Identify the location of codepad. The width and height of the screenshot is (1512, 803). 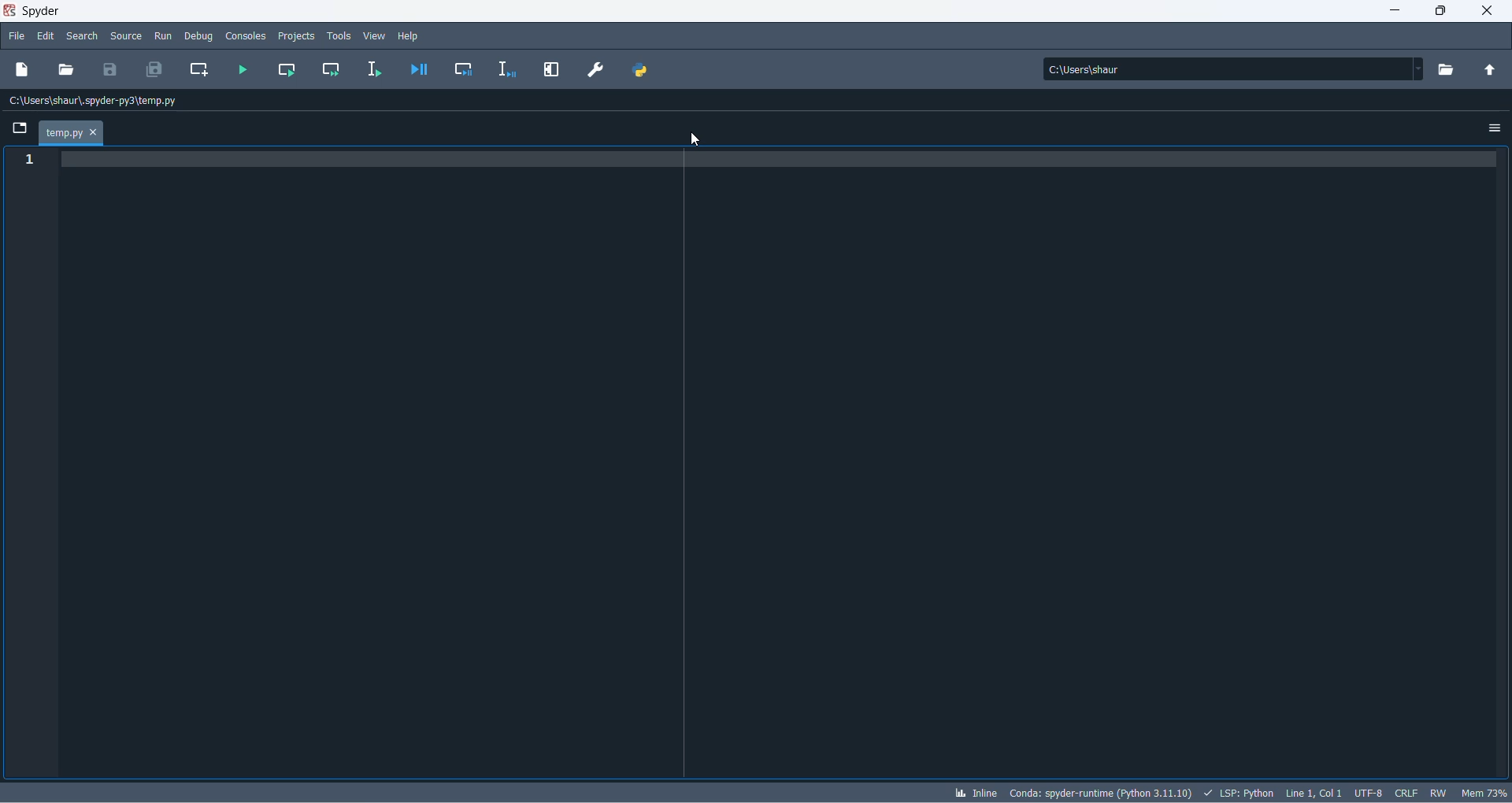
(780, 464).